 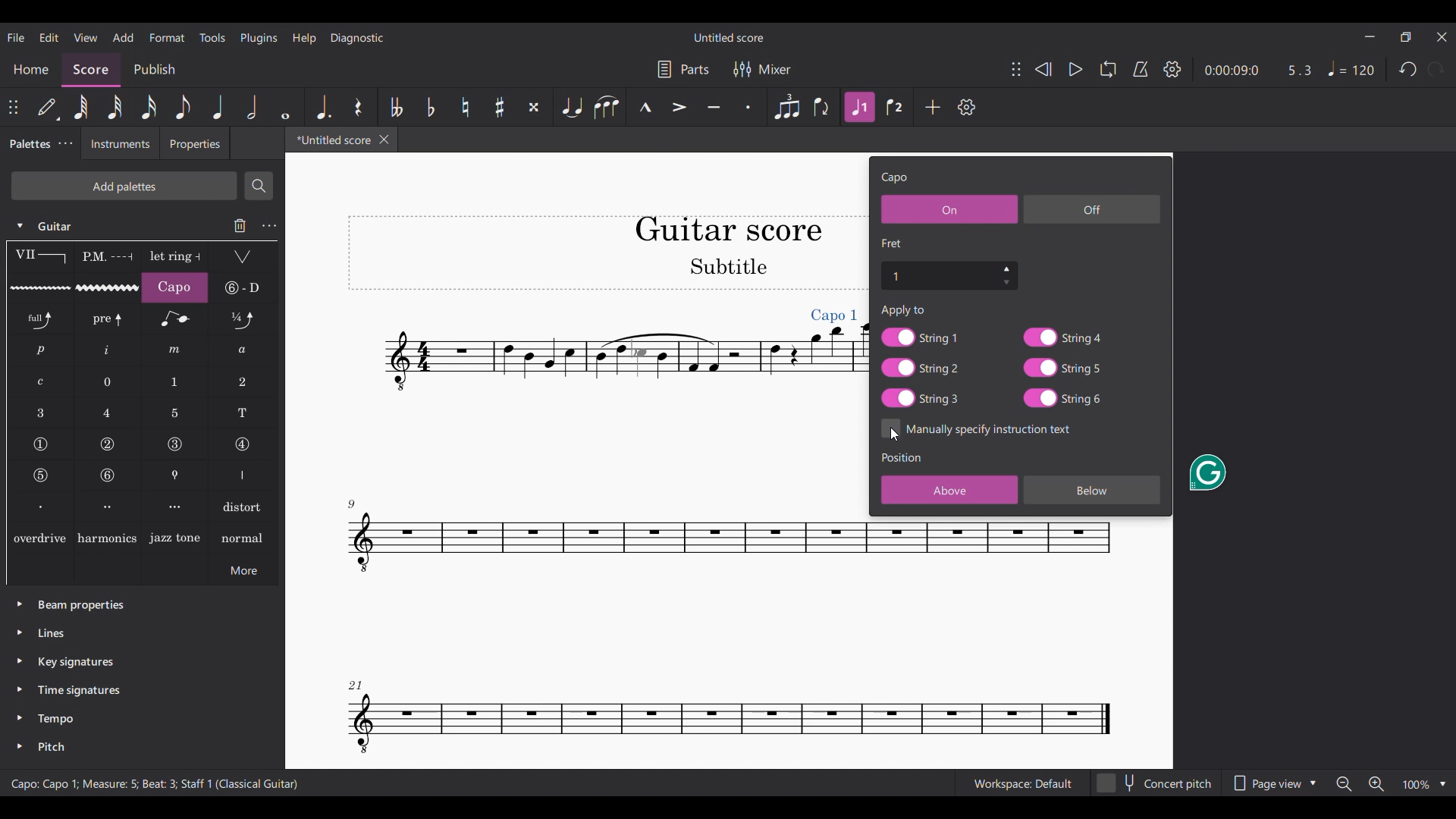 What do you see at coordinates (108, 287) in the screenshot?
I see `Guitar vibrato wide` at bounding box center [108, 287].